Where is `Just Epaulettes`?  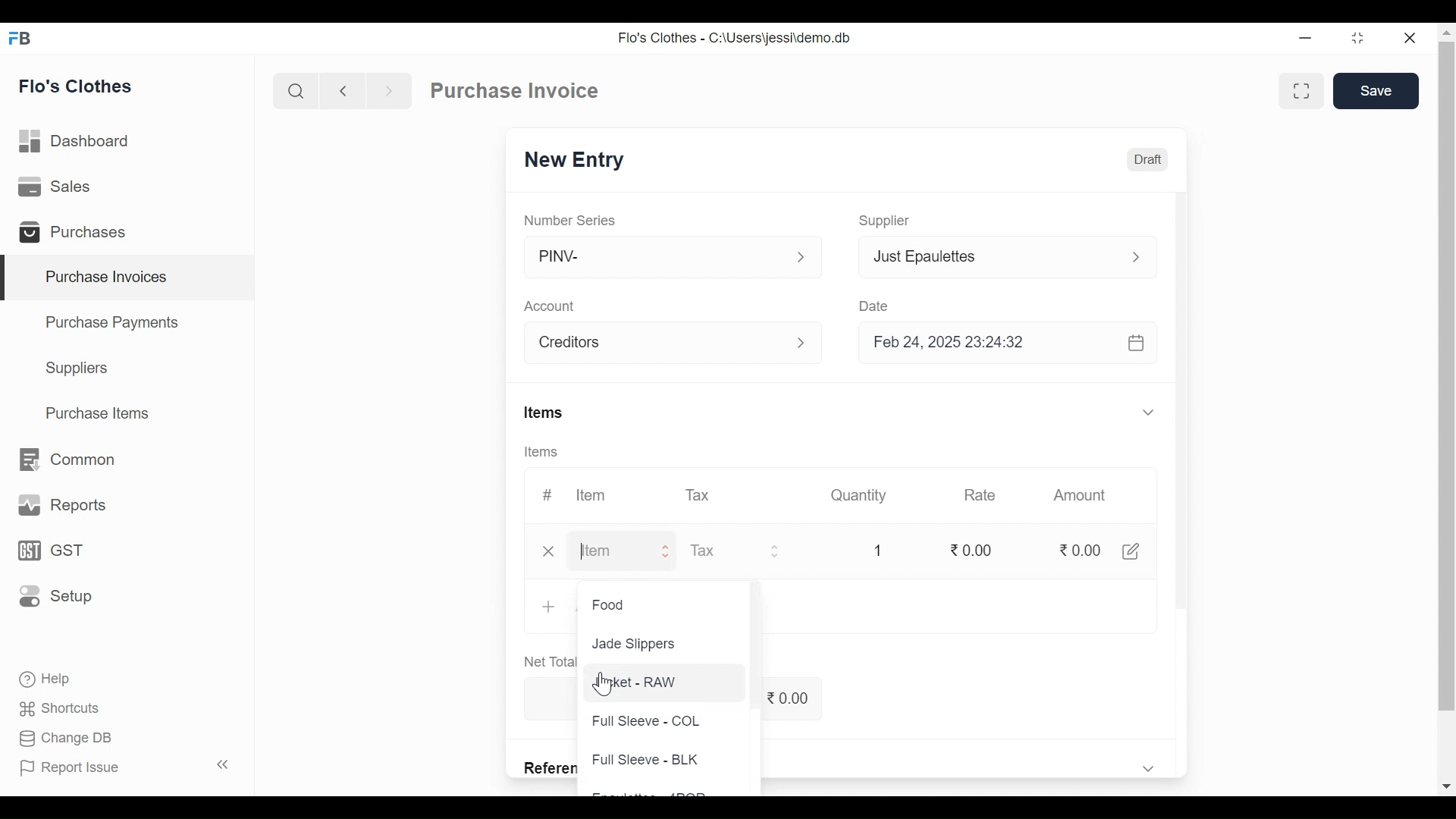
Just Epaulettes is located at coordinates (990, 256).